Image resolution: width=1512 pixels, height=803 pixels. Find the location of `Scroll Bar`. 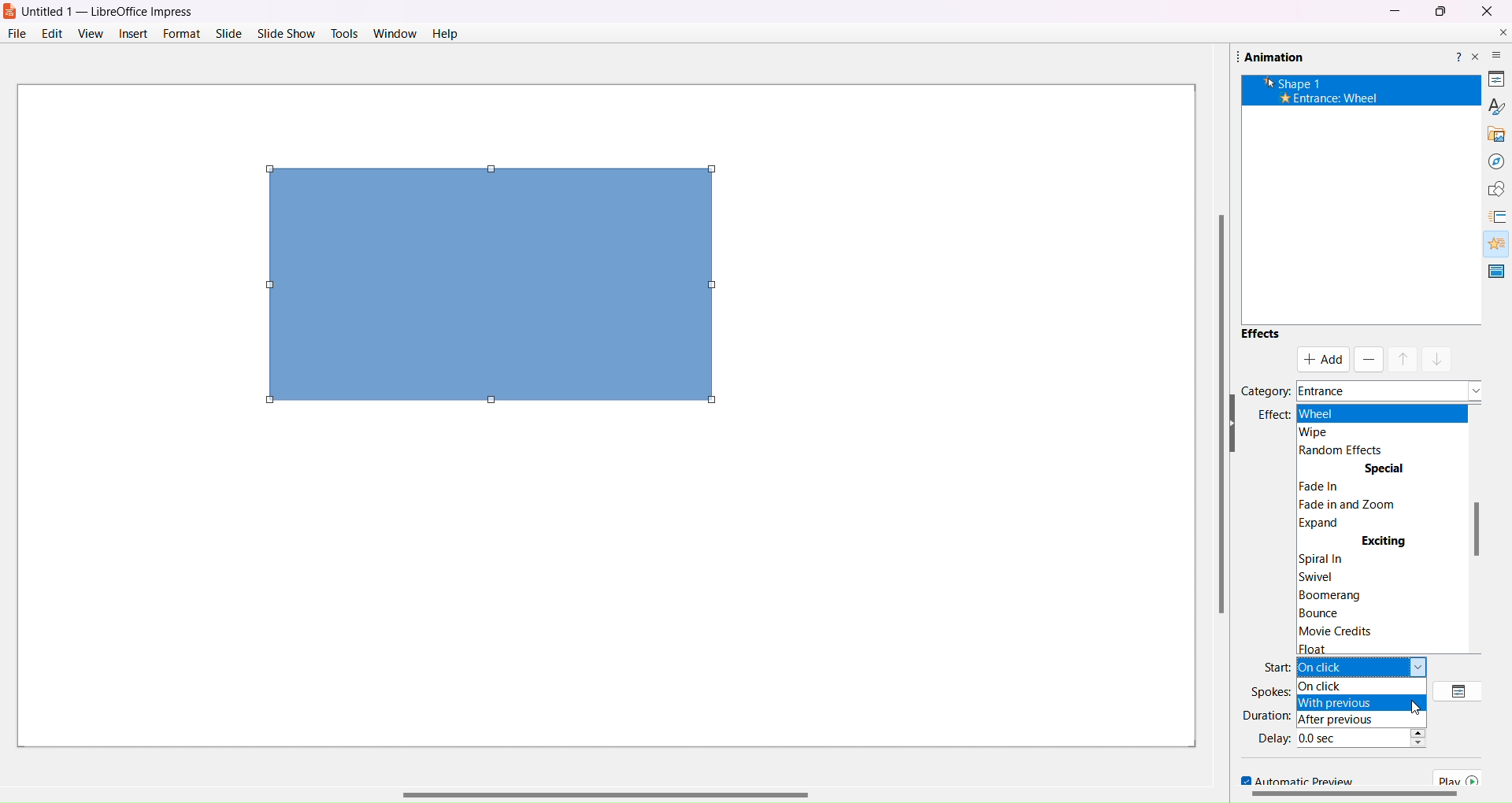

Scroll Bar is located at coordinates (1352, 796).